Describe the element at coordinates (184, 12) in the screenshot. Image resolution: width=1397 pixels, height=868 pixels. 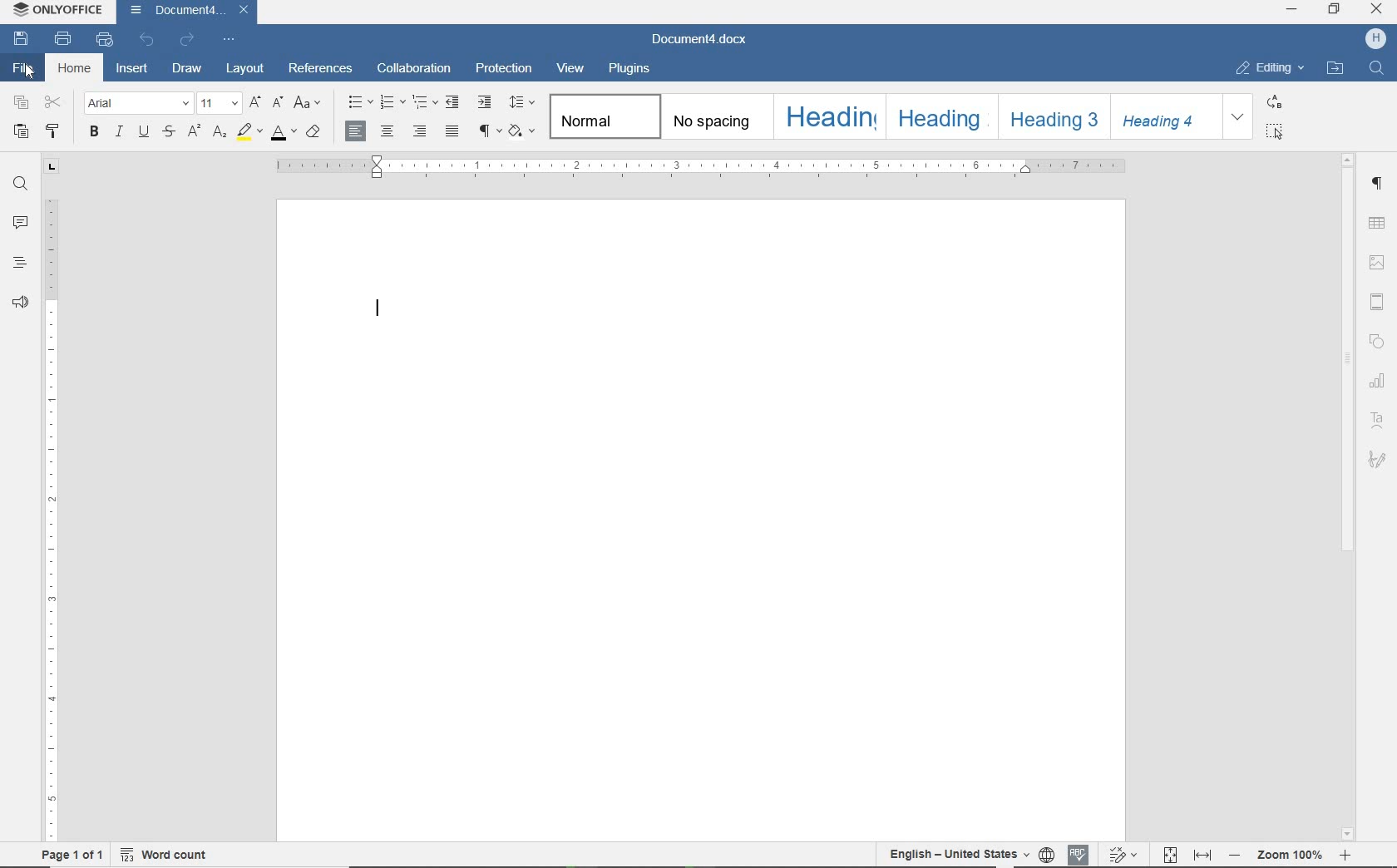
I see `Document4(document name)` at that location.